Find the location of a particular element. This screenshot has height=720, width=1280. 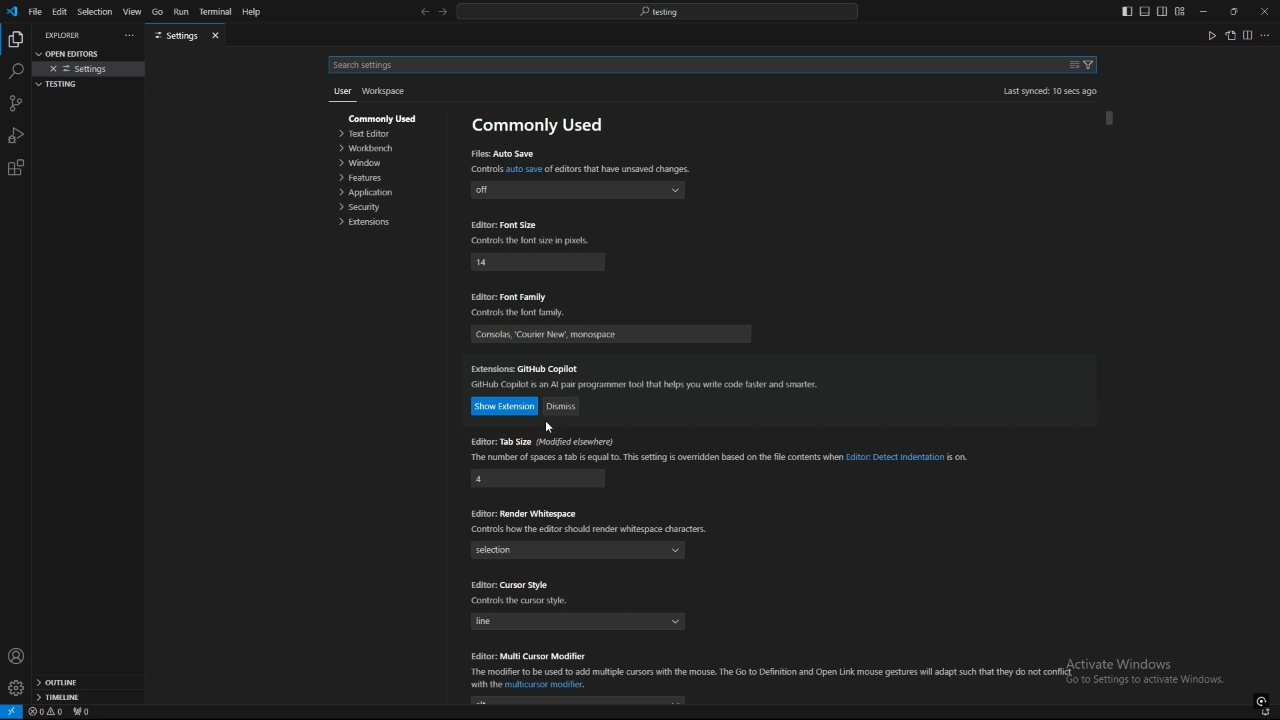

split editor right is located at coordinates (1248, 35).